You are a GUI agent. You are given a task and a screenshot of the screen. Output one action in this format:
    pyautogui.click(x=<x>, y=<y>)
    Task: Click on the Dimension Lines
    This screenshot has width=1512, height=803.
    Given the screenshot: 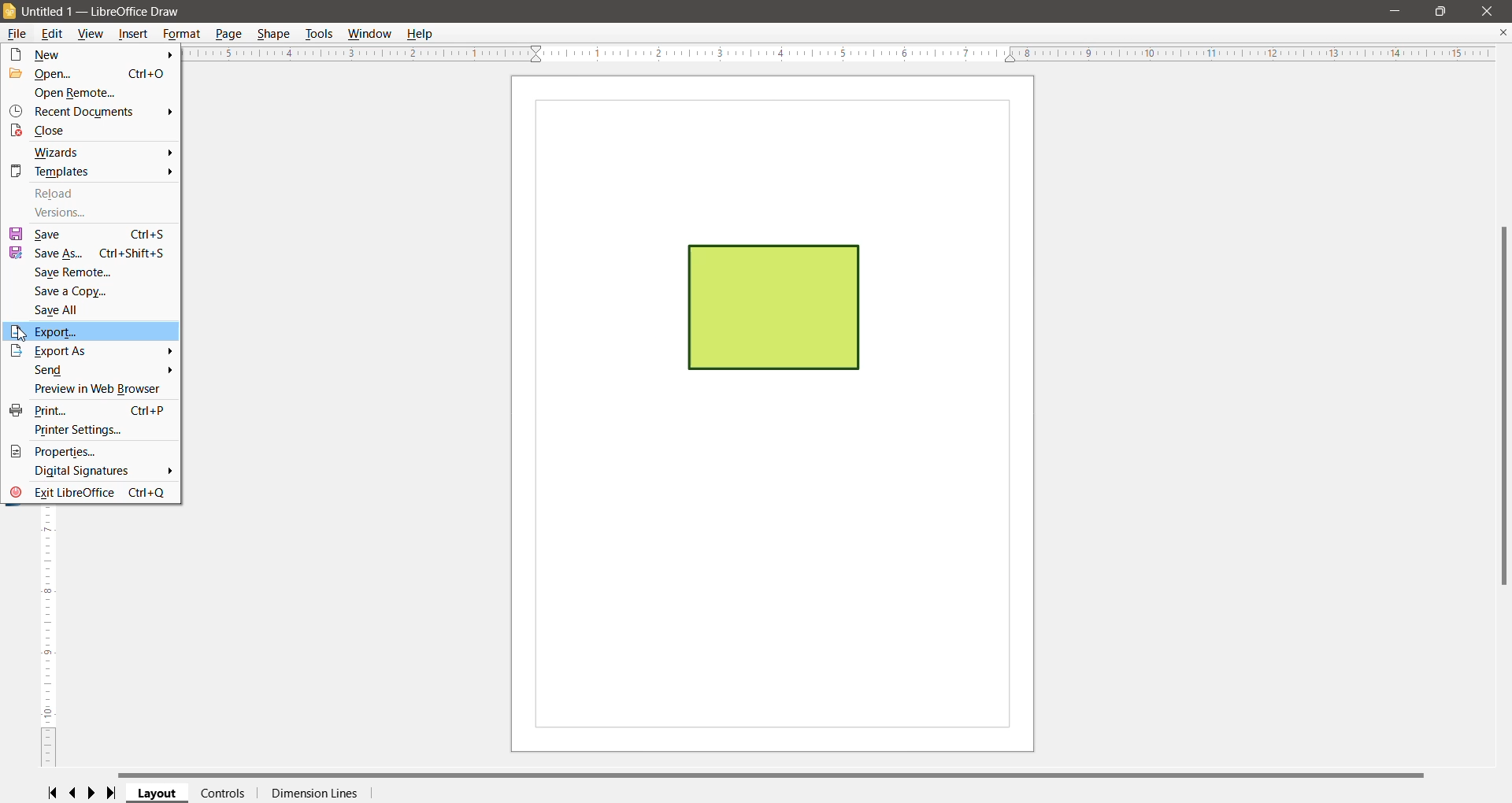 What is the action you would take?
    pyautogui.click(x=313, y=794)
    